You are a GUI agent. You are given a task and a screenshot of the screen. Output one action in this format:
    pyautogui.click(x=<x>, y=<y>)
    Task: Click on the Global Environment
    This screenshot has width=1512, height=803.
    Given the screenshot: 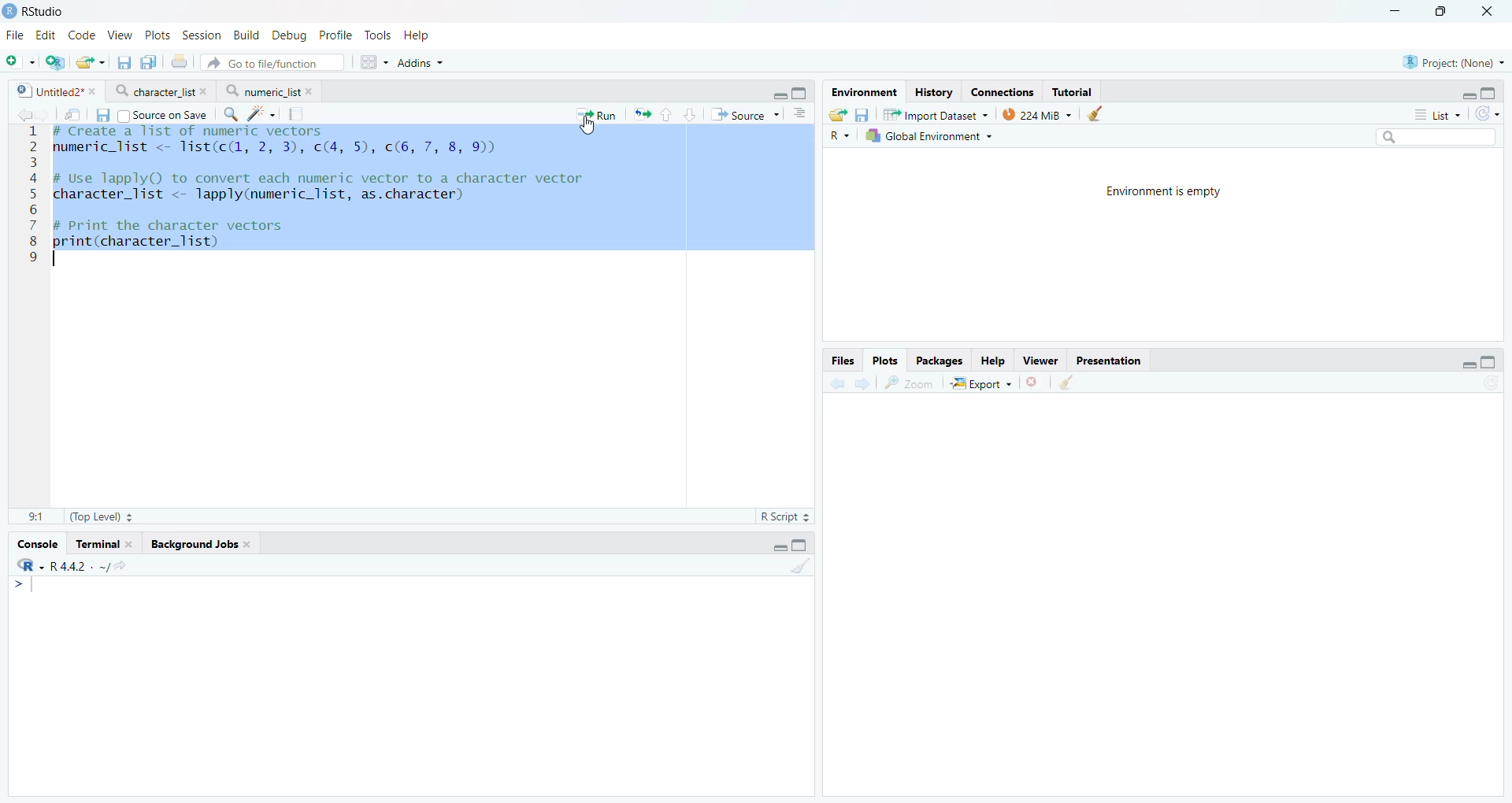 What is the action you would take?
    pyautogui.click(x=928, y=137)
    